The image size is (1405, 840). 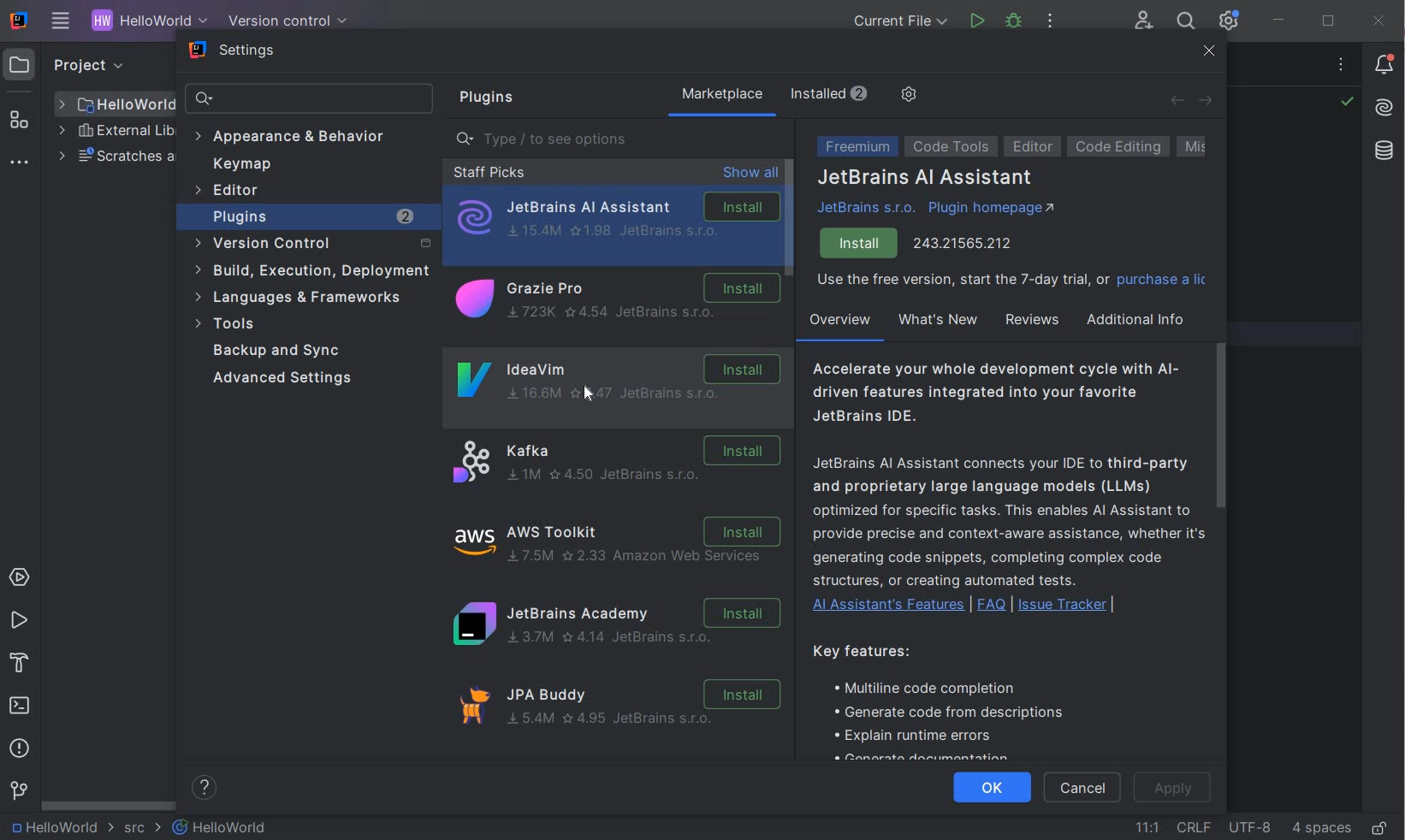 I want to click on EXTERNAL LIBRARIES, so click(x=116, y=133).